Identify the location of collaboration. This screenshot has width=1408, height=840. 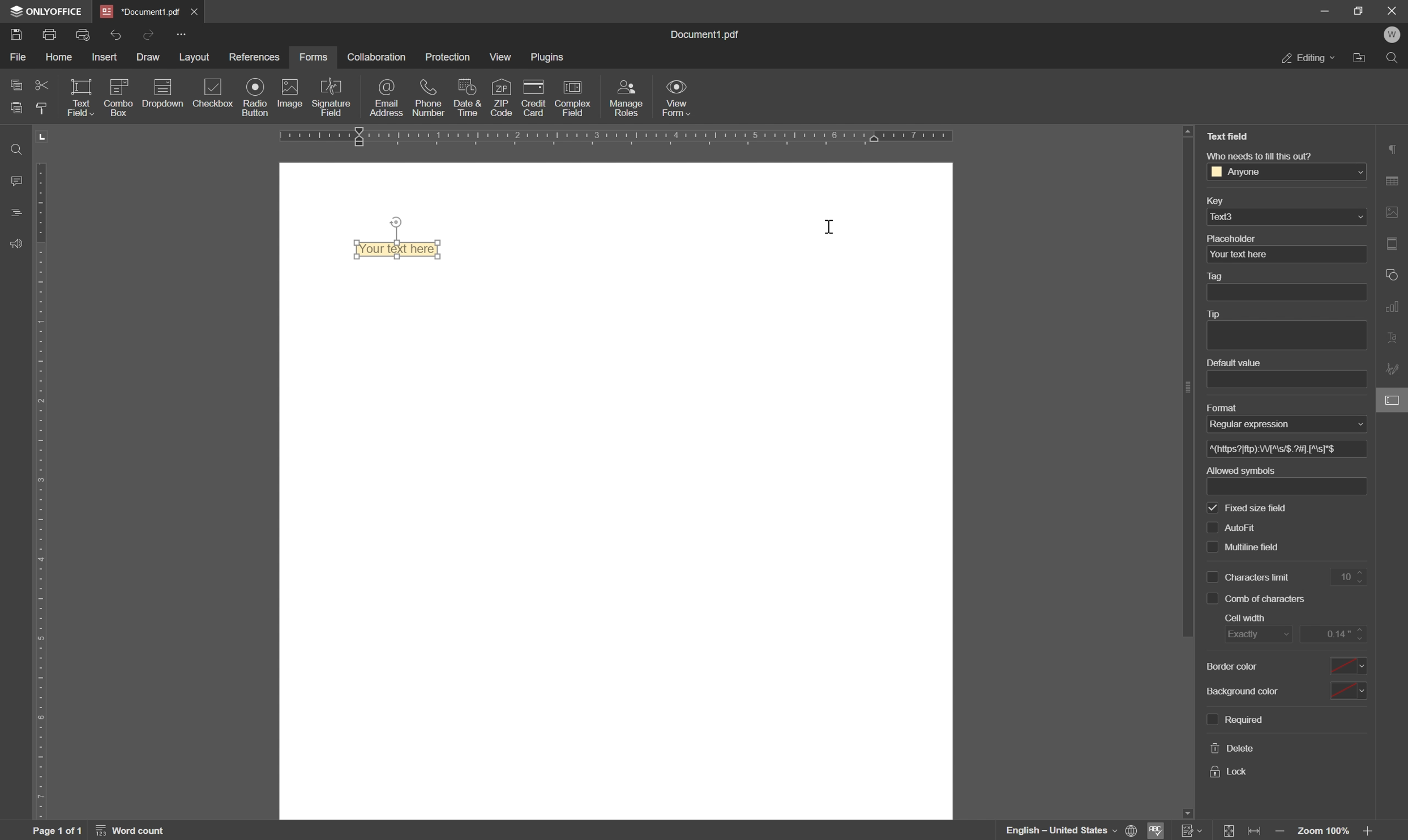
(375, 57).